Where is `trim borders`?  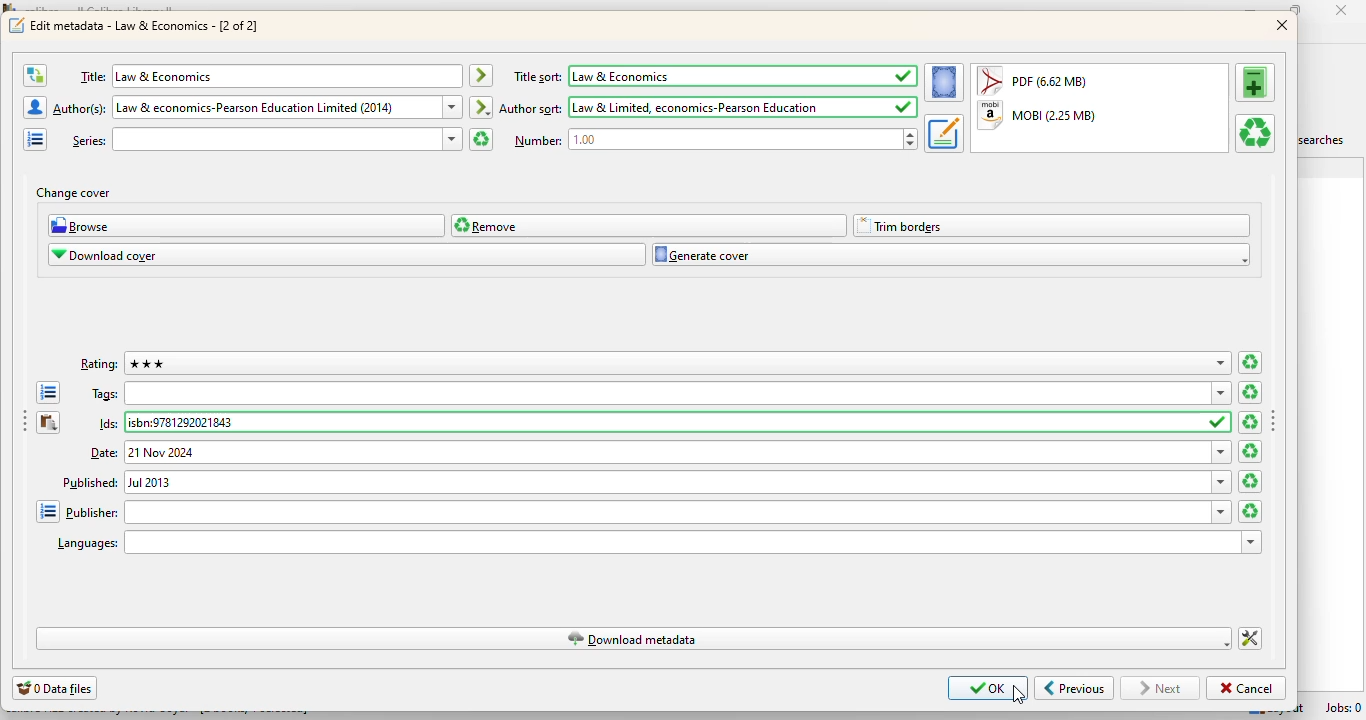 trim borders is located at coordinates (1053, 226).